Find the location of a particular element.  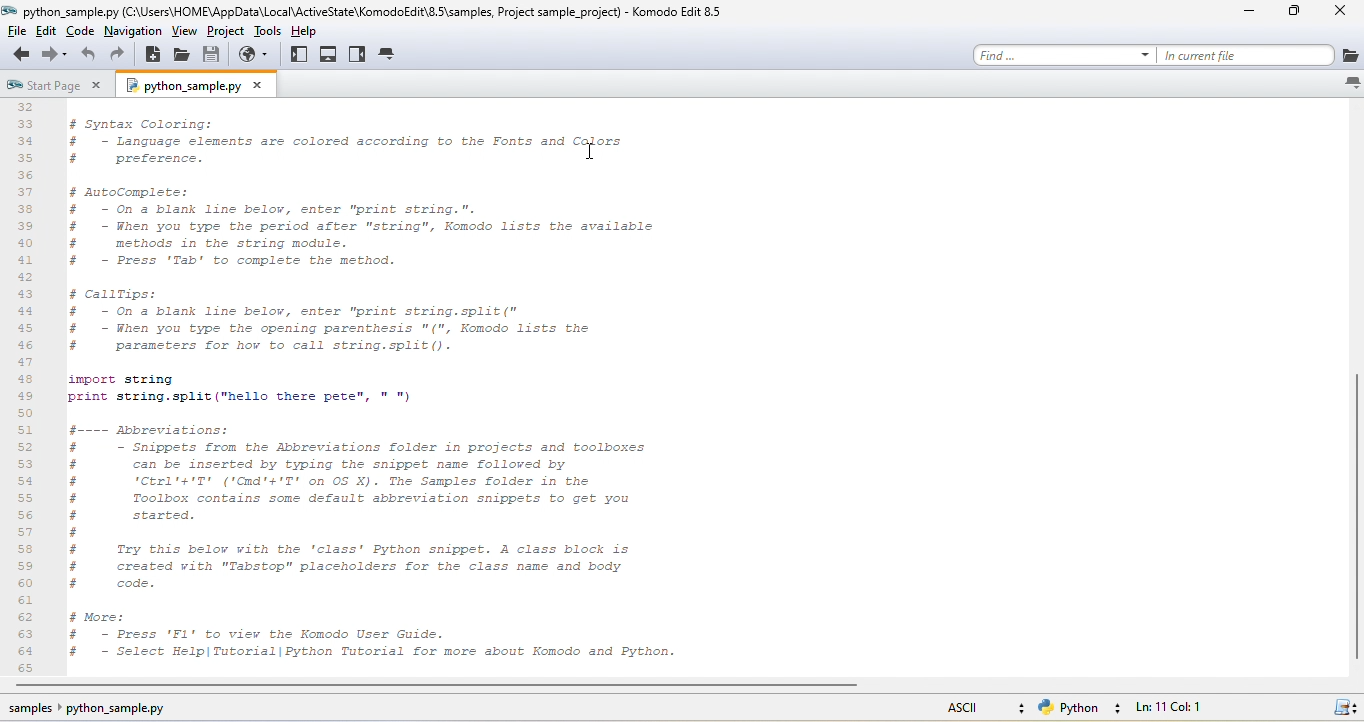

ascii is located at coordinates (977, 706).